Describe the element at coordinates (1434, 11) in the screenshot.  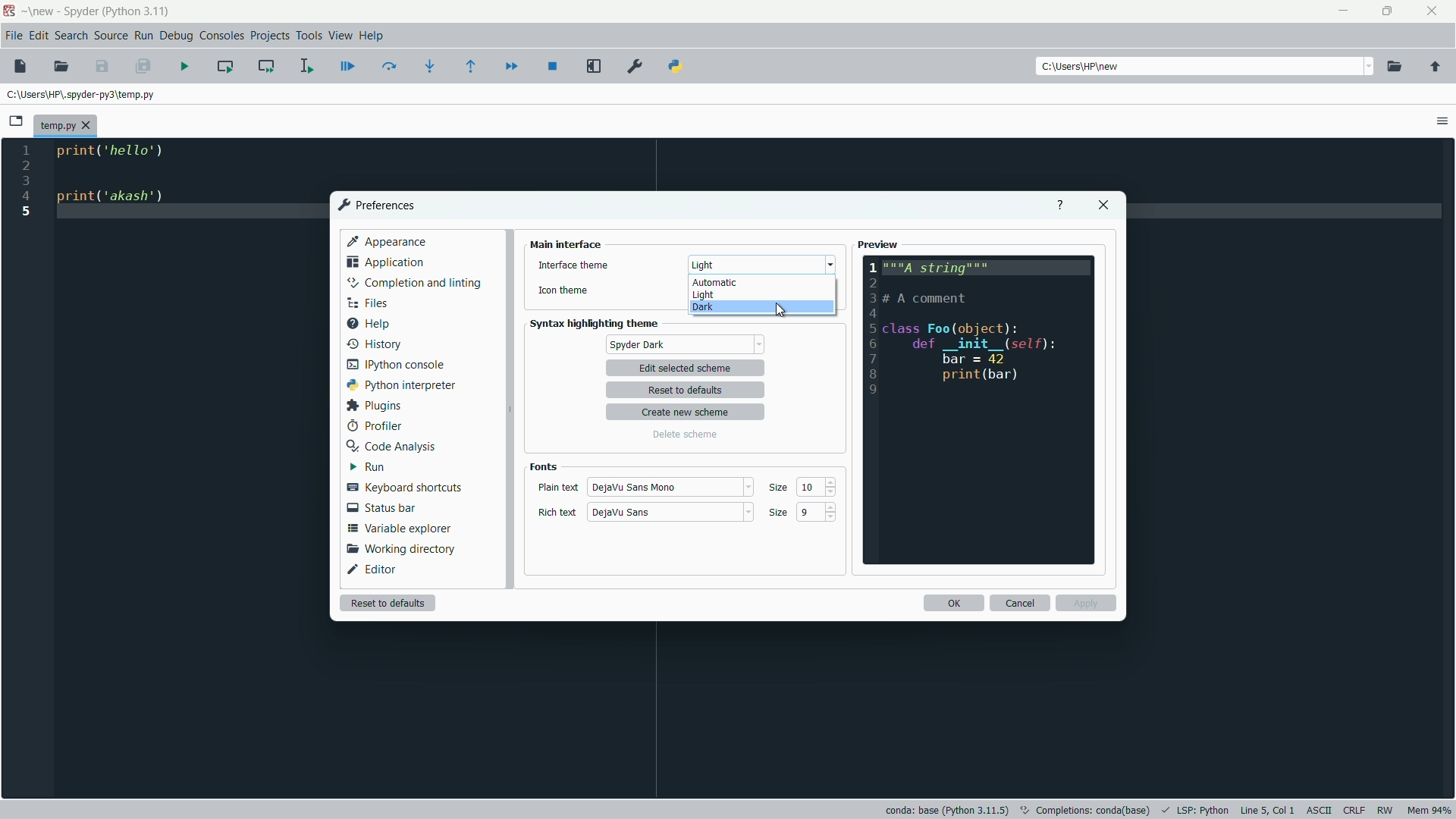
I see `close app` at that location.